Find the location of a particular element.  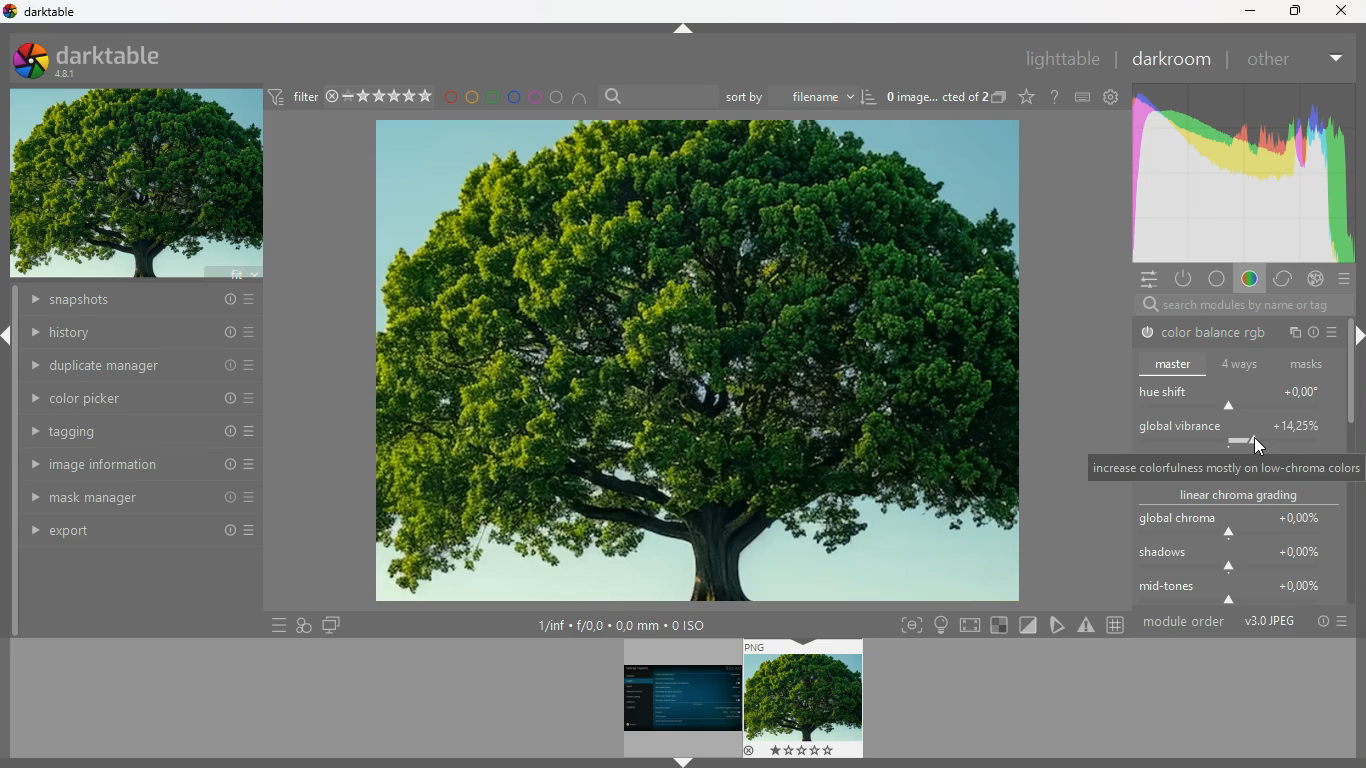

yellow is located at coordinates (473, 97).